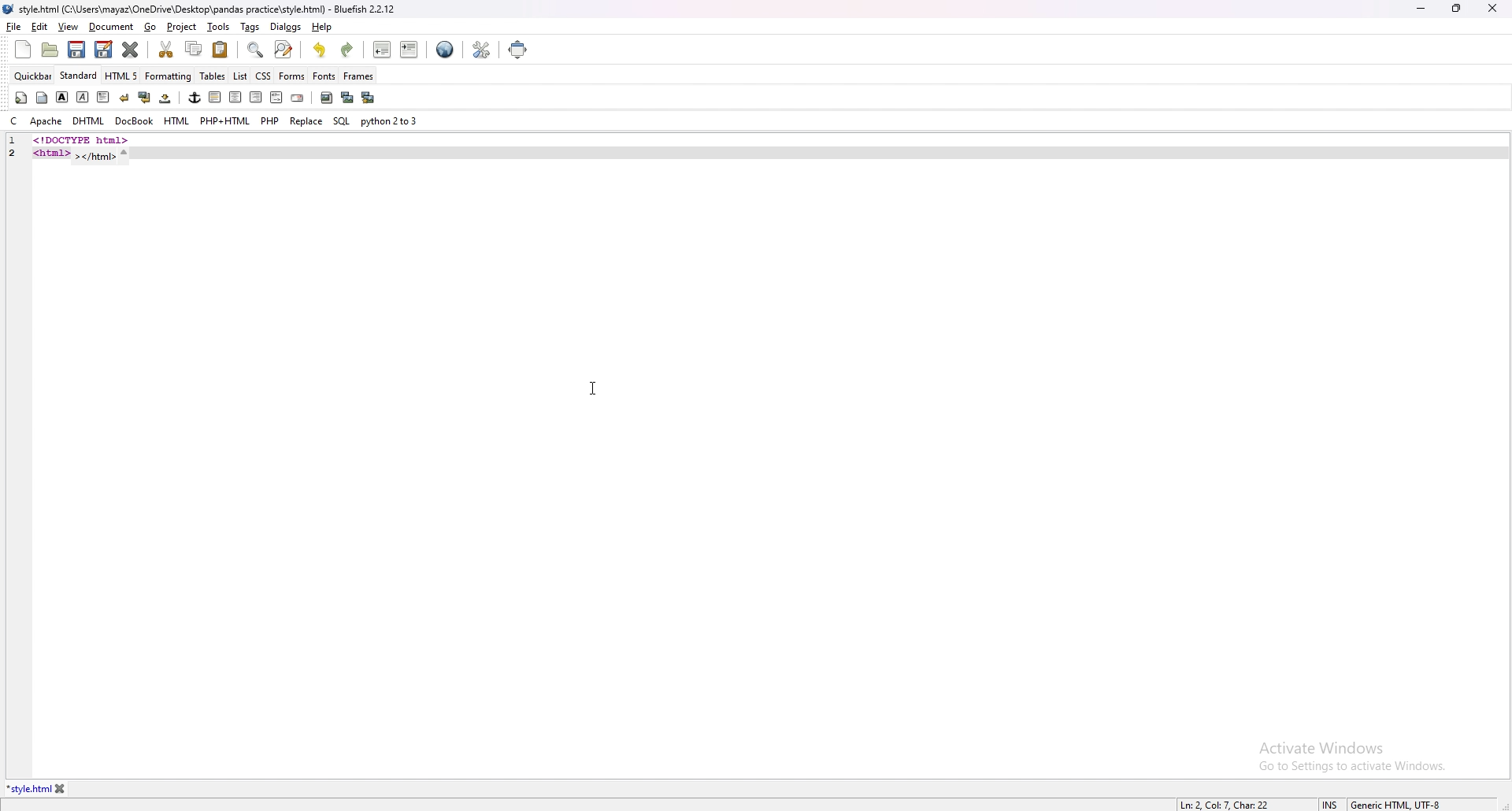 This screenshot has width=1512, height=811. What do you see at coordinates (28, 789) in the screenshot?
I see `tab` at bounding box center [28, 789].